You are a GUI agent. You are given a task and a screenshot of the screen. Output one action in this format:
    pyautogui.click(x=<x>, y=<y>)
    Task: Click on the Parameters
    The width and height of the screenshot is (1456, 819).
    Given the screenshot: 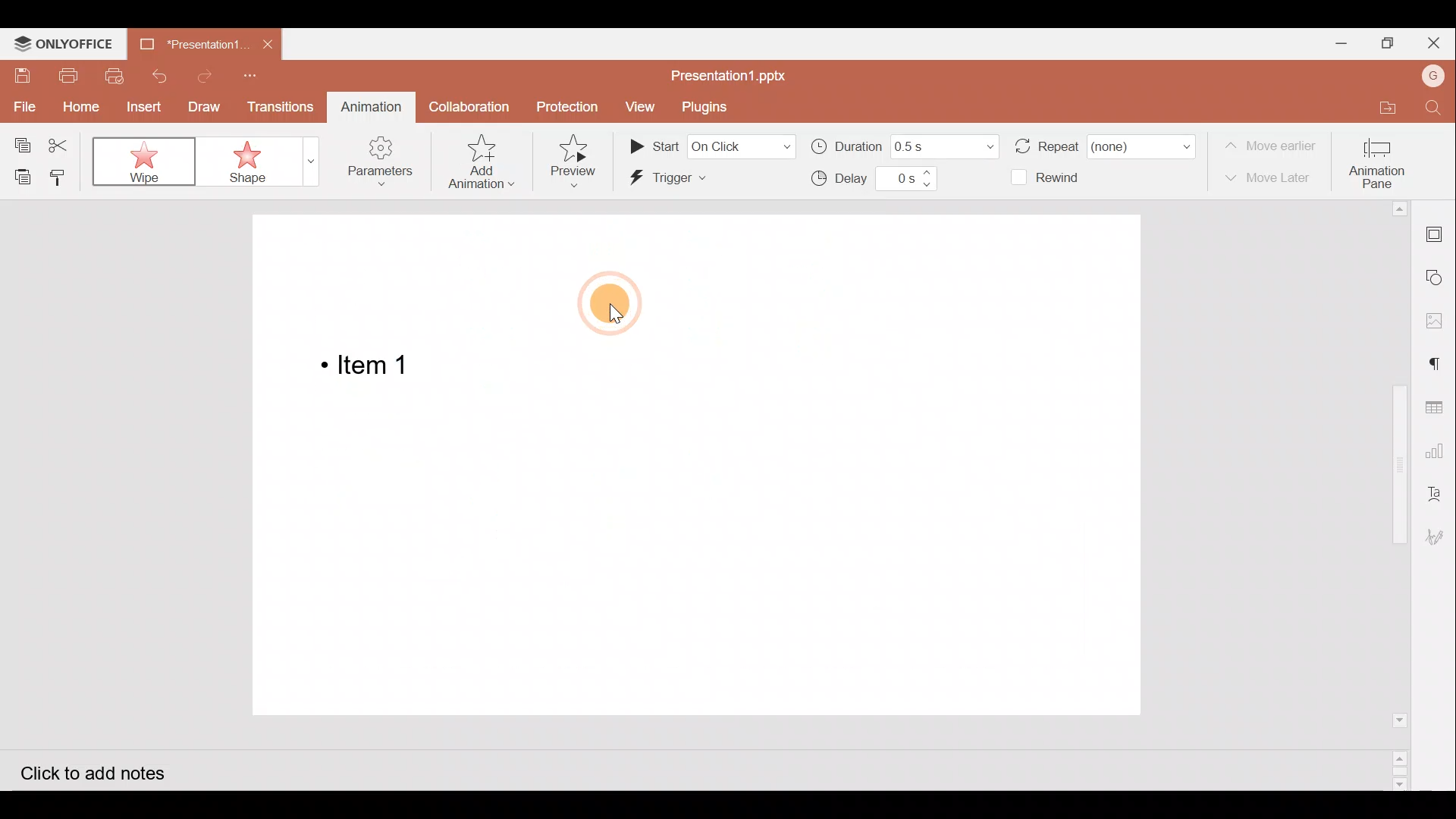 What is the action you would take?
    pyautogui.click(x=385, y=162)
    